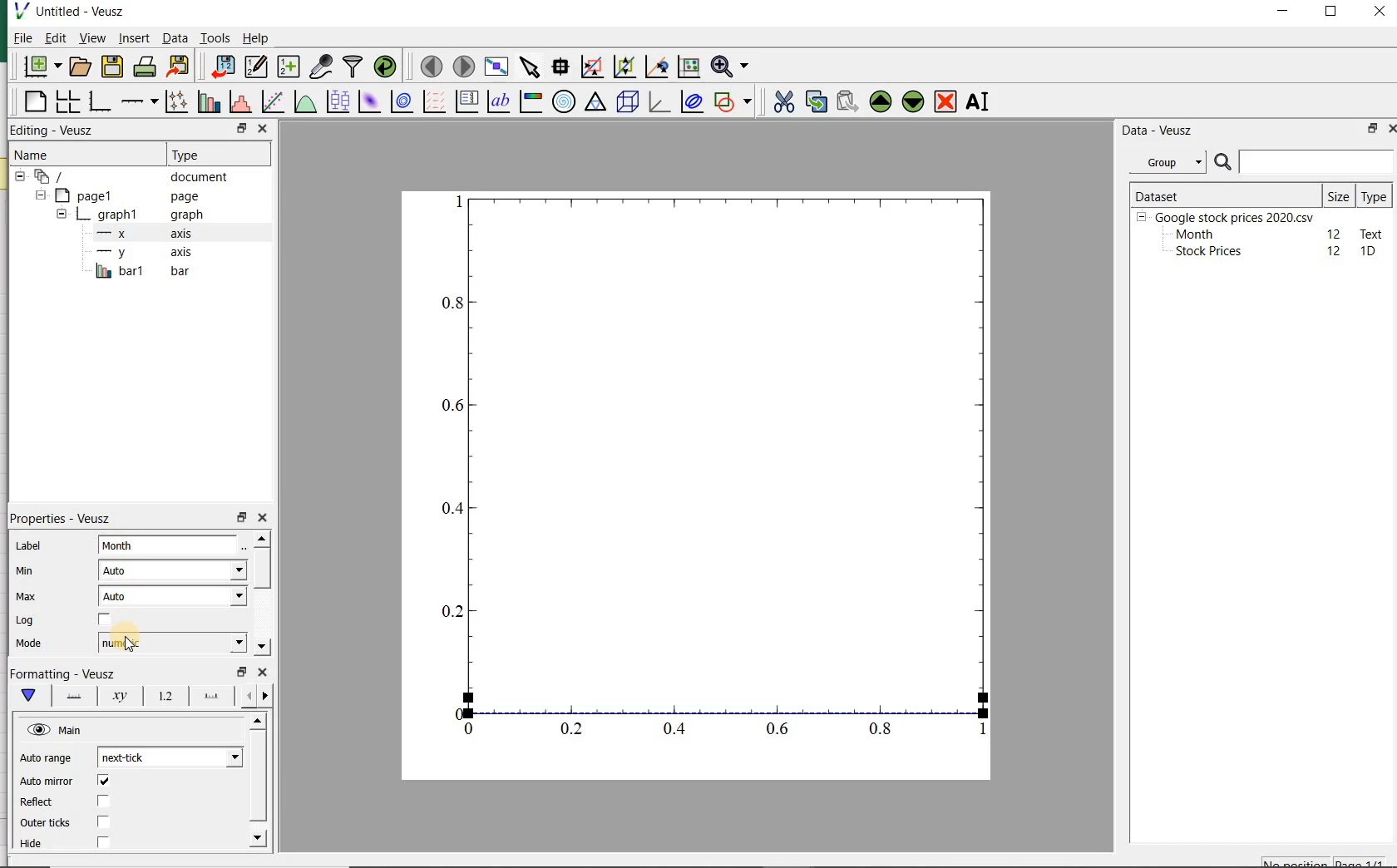 The height and width of the screenshot is (868, 1397). What do you see at coordinates (1224, 193) in the screenshot?
I see `DATASET` at bounding box center [1224, 193].